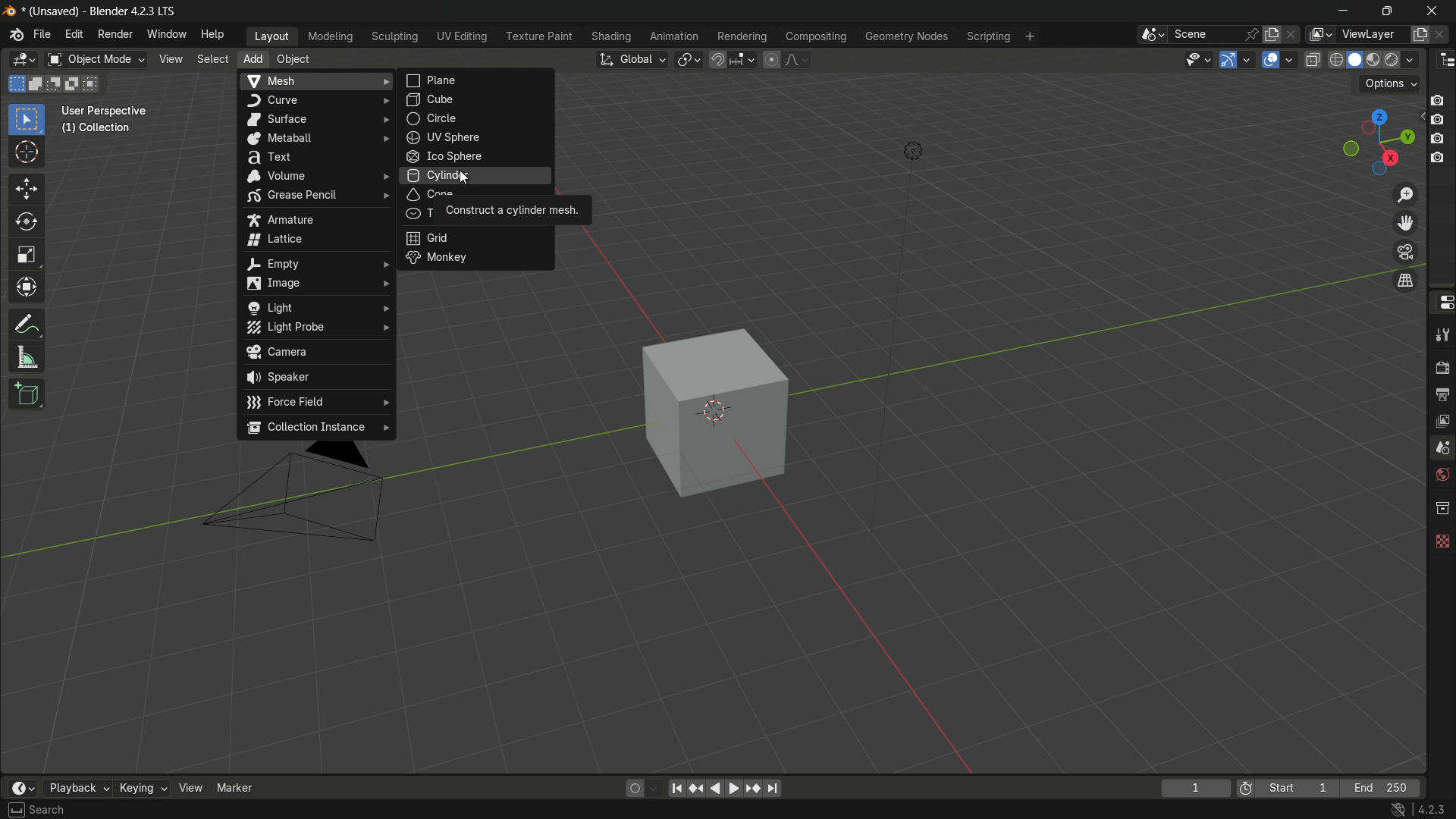 This screenshot has width=1456, height=819. I want to click on cylinder, so click(479, 174).